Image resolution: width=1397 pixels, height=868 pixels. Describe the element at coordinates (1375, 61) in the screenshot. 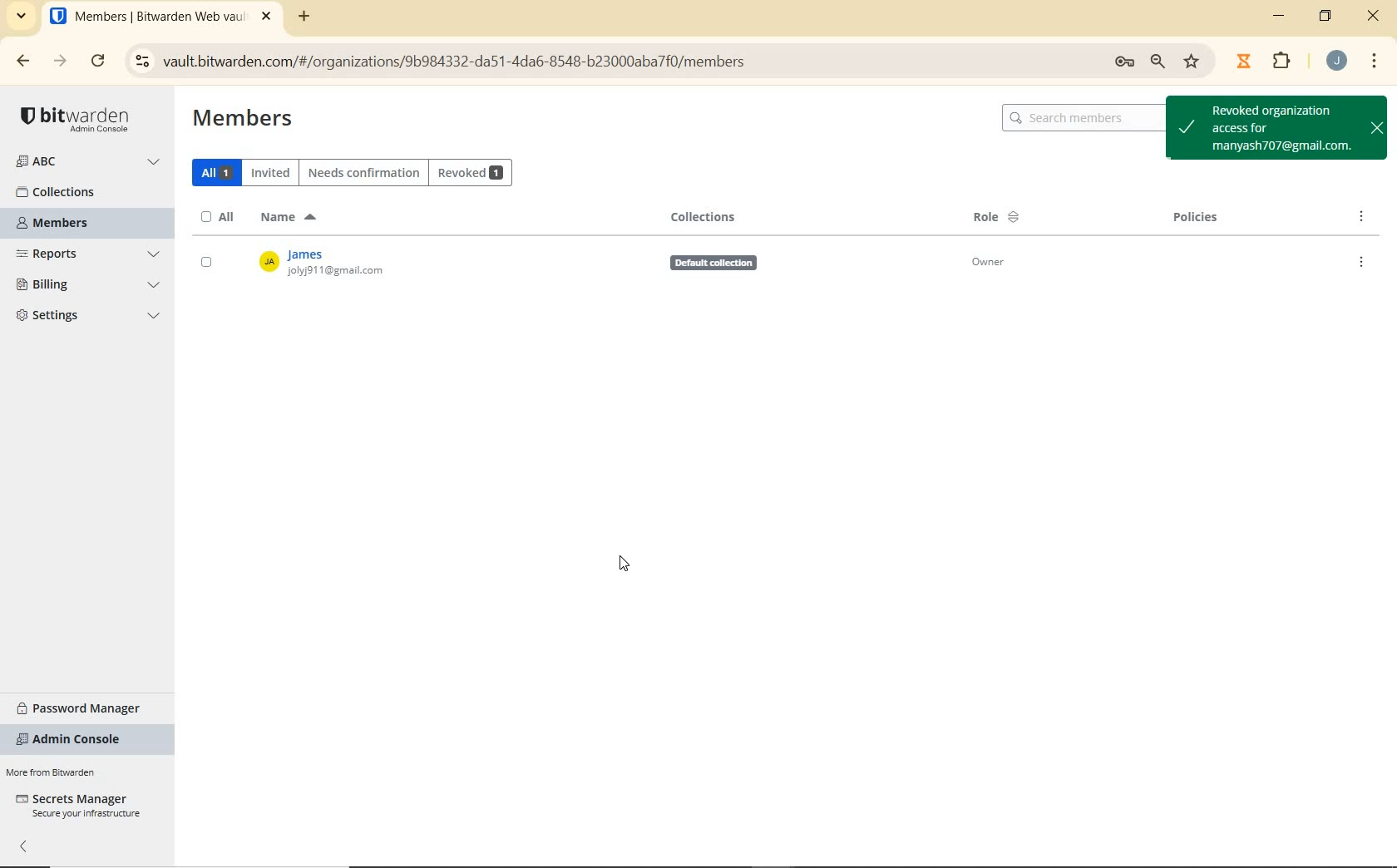

I see `CUSTOMIZE` at that location.